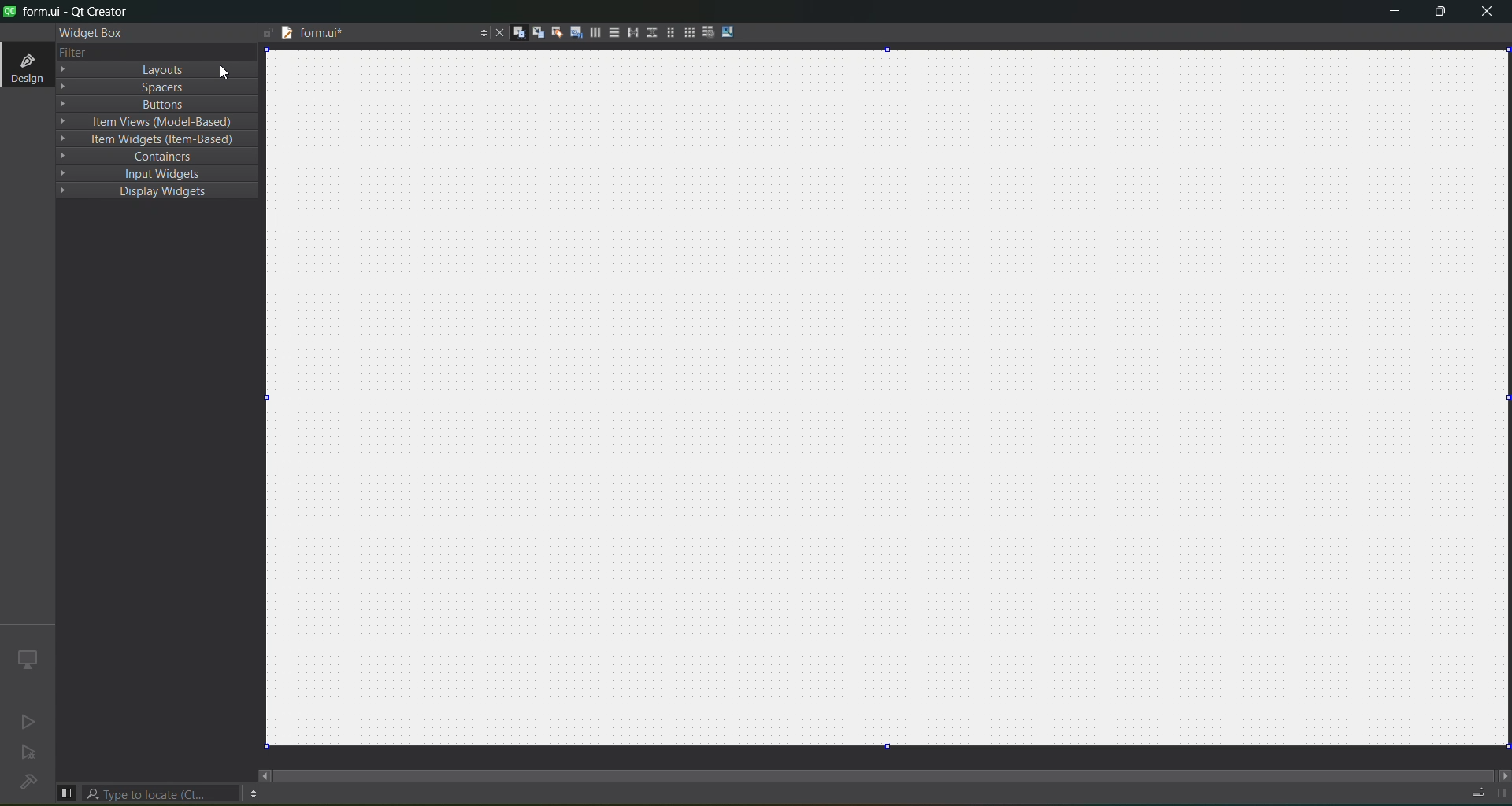 The height and width of the screenshot is (806, 1512). What do you see at coordinates (24, 723) in the screenshot?
I see `no active` at bounding box center [24, 723].